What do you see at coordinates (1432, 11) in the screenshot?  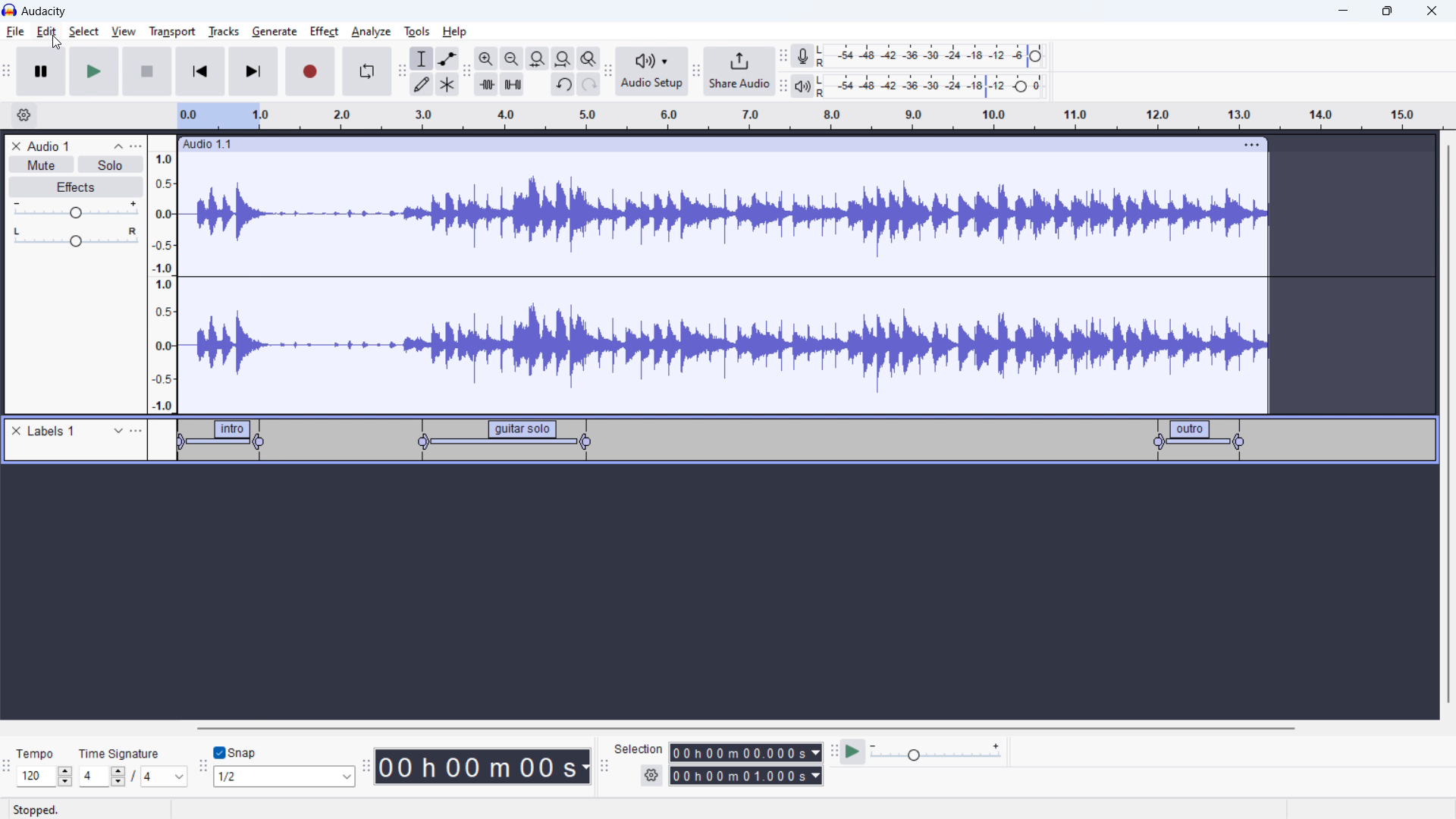 I see `close` at bounding box center [1432, 11].